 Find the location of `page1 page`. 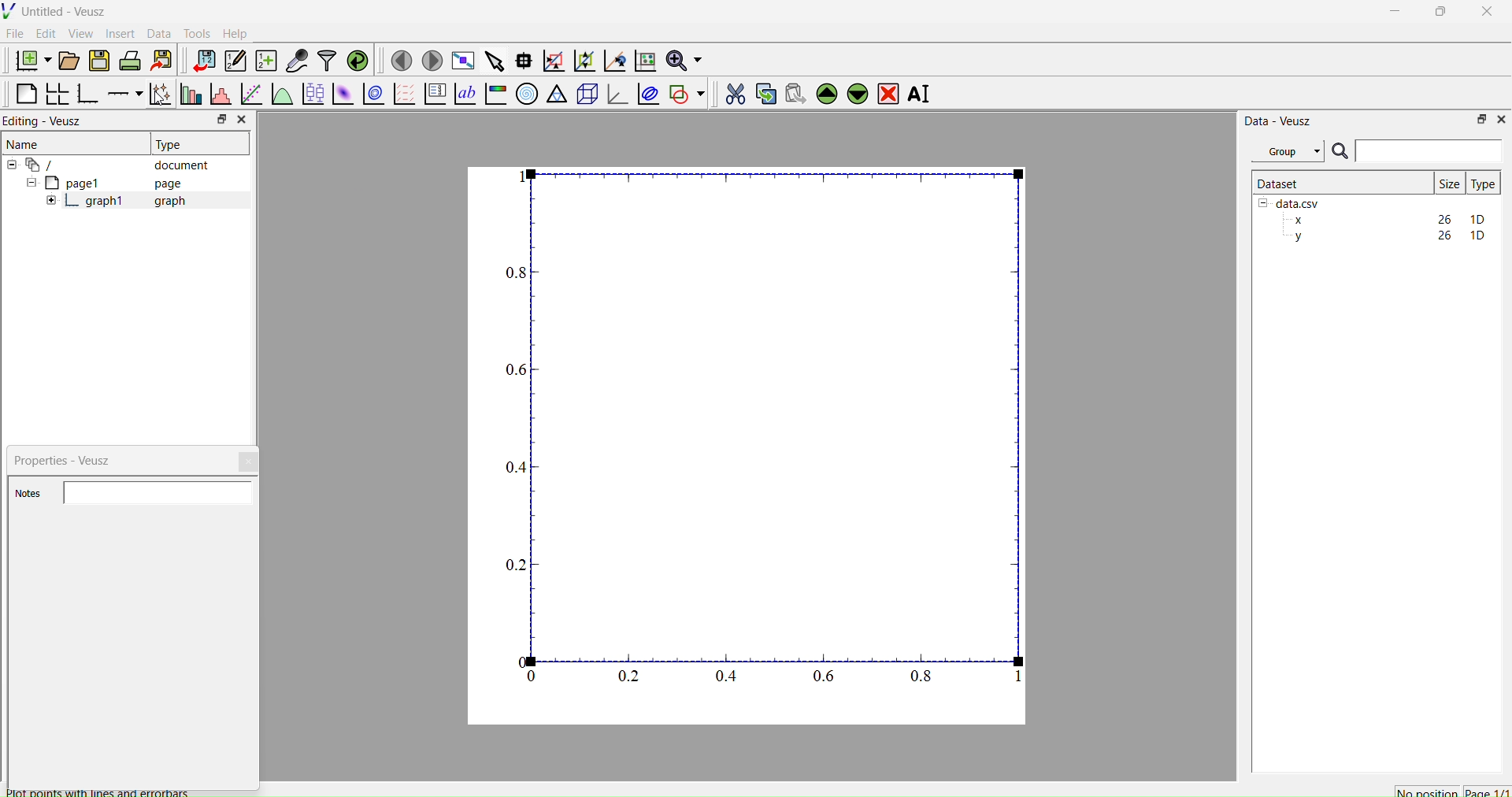

page1 page is located at coordinates (105, 182).